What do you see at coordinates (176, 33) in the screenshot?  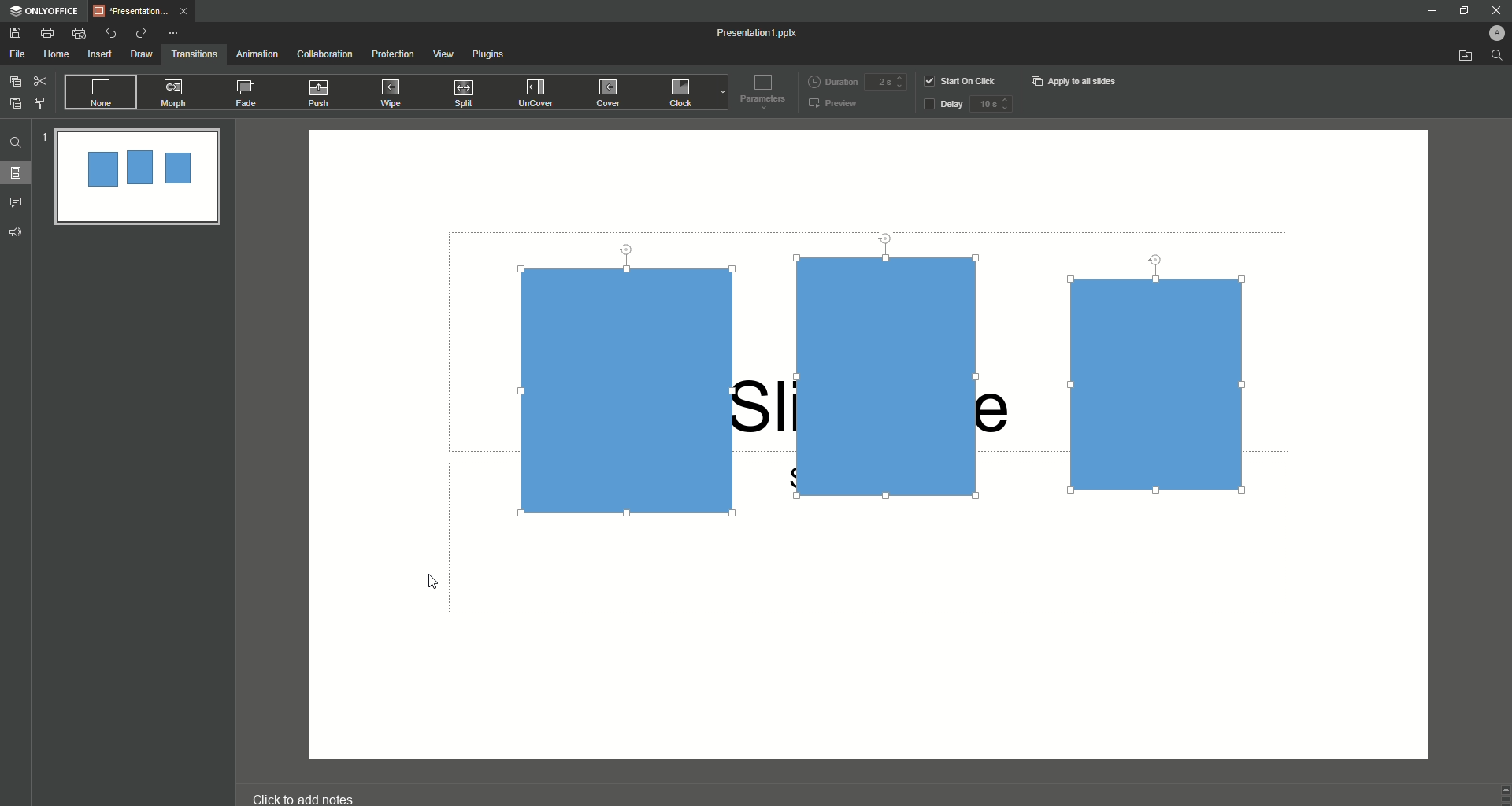 I see `More Options` at bounding box center [176, 33].